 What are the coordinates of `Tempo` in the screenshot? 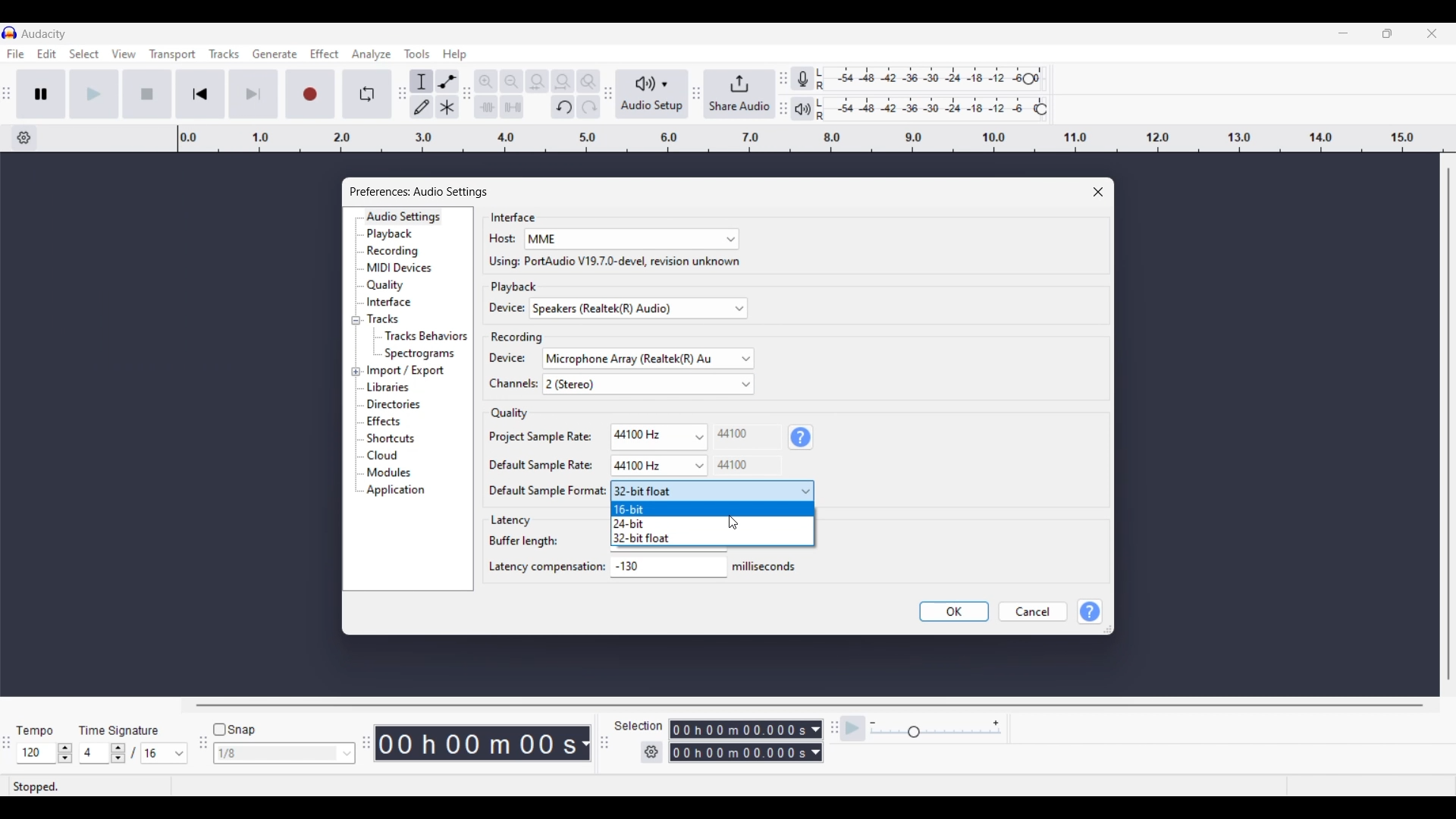 It's located at (34, 730).